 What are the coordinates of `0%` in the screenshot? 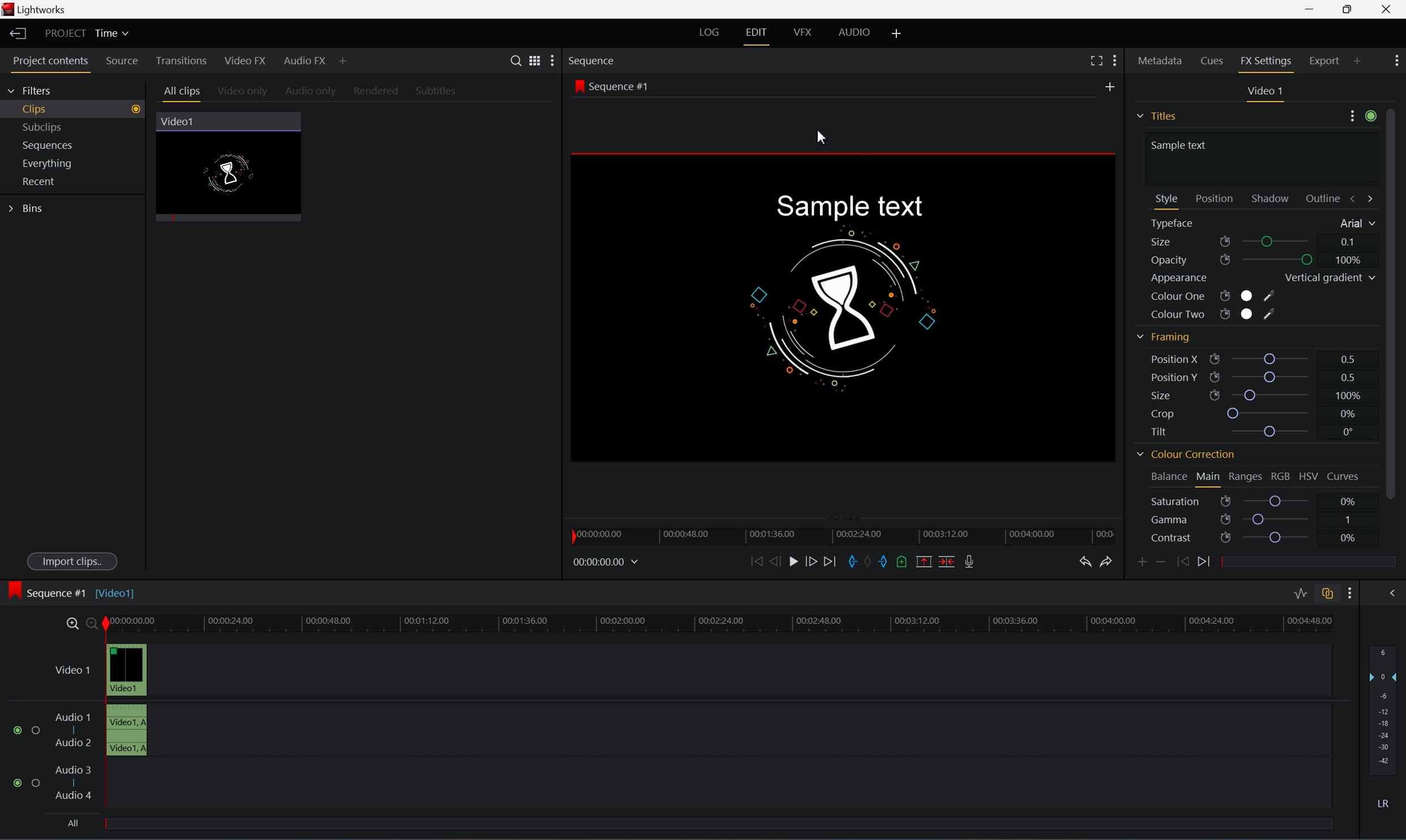 It's located at (1347, 538).